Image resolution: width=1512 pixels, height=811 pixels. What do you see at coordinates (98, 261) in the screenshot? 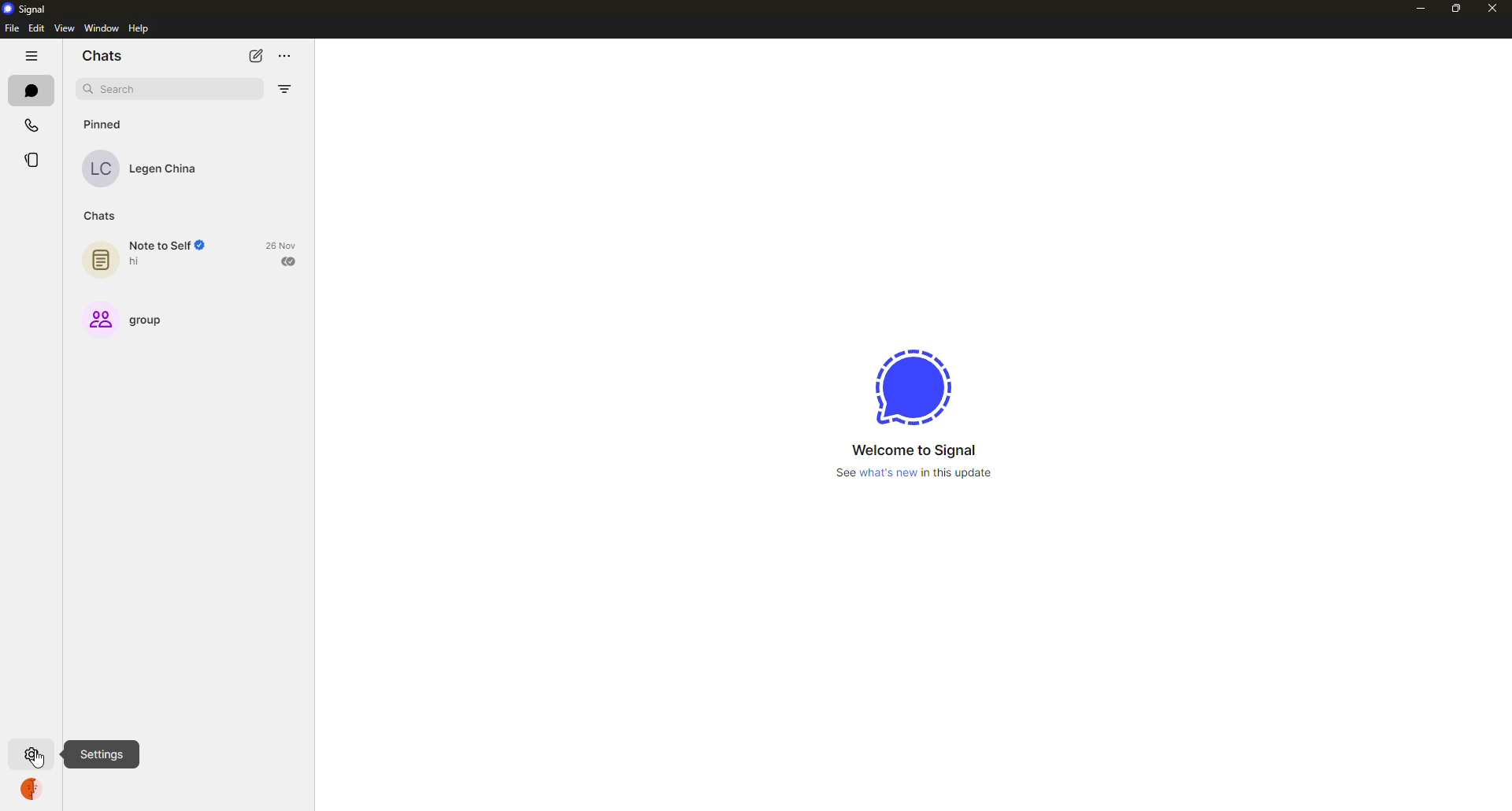
I see `Notes` at bounding box center [98, 261].